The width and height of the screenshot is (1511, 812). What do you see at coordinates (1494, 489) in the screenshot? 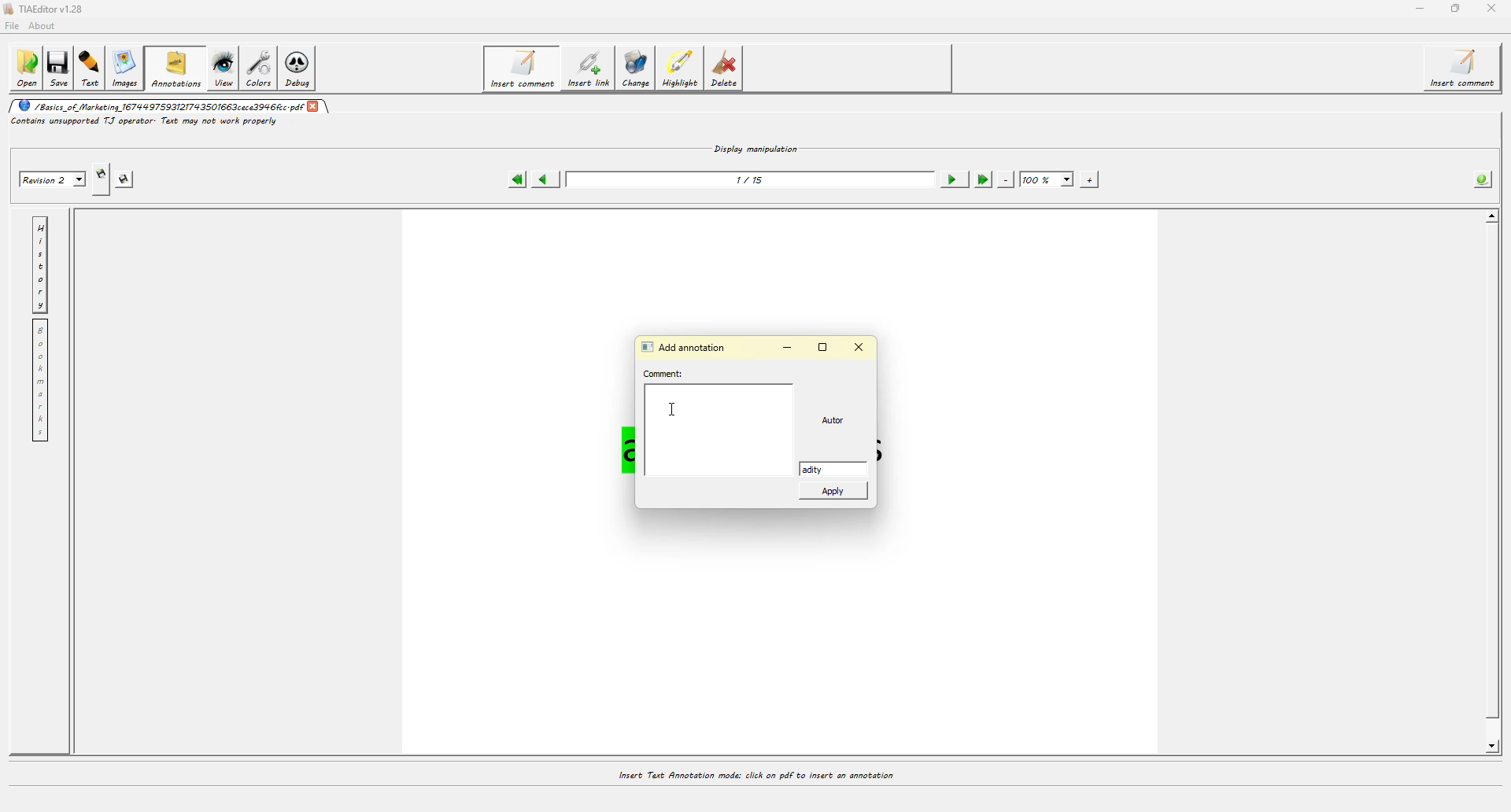
I see `scroll bar` at bounding box center [1494, 489].